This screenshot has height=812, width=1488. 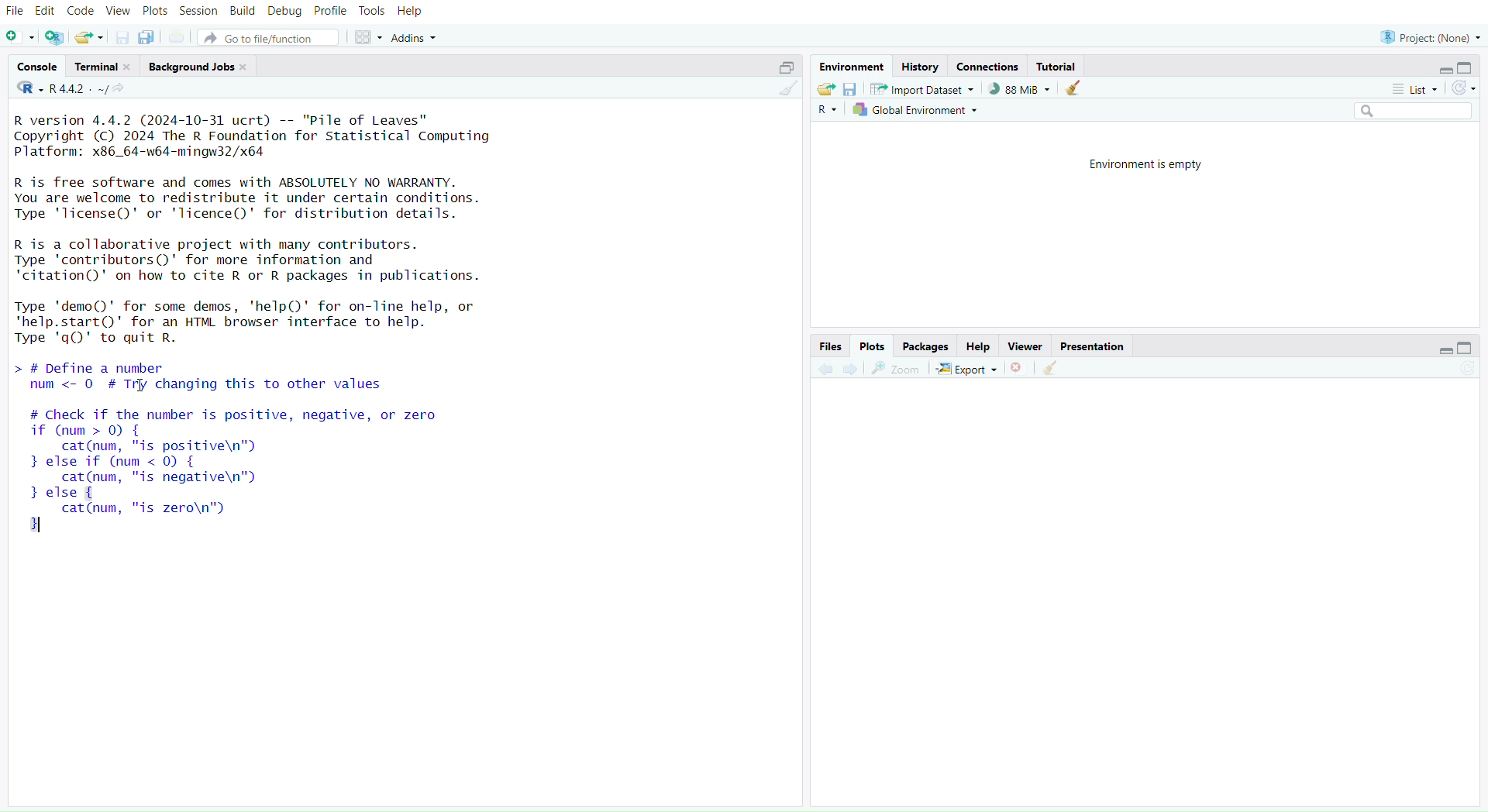 I want to click on remove current plot, so click(x=1018, y=369).